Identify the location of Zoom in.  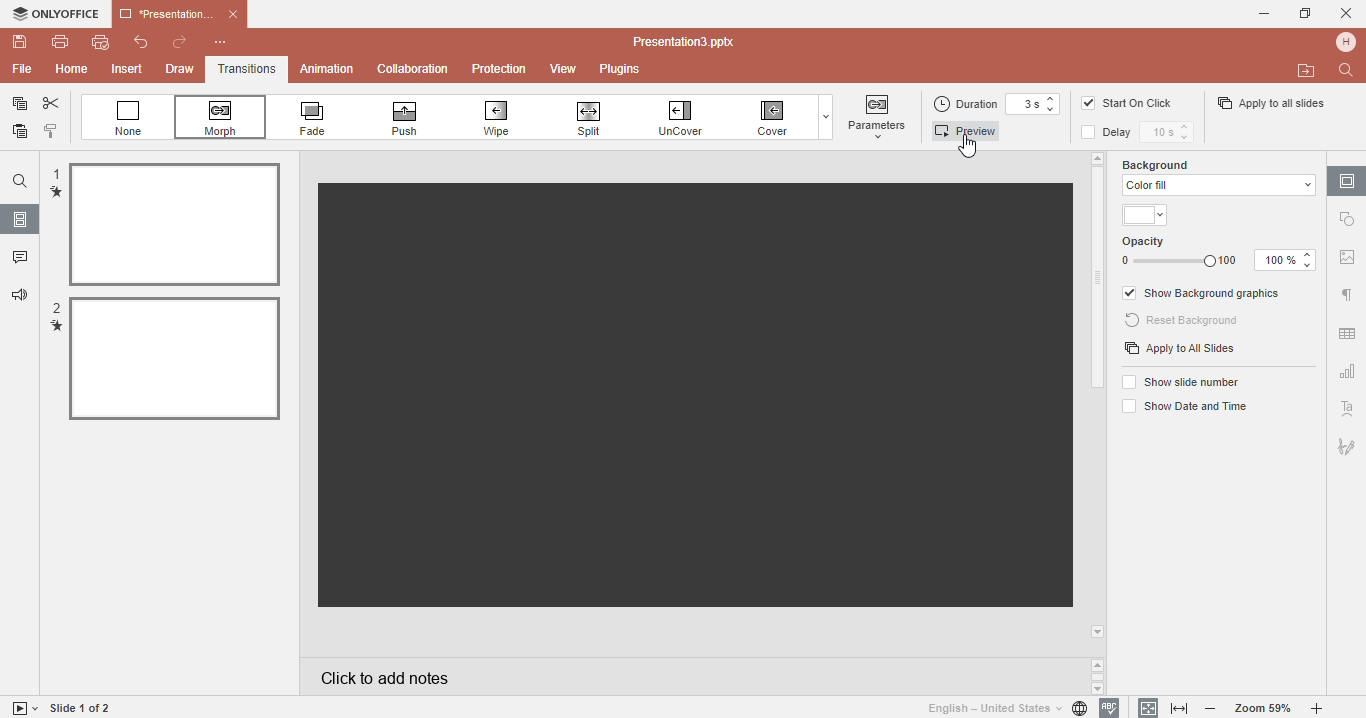
(1321, 709).